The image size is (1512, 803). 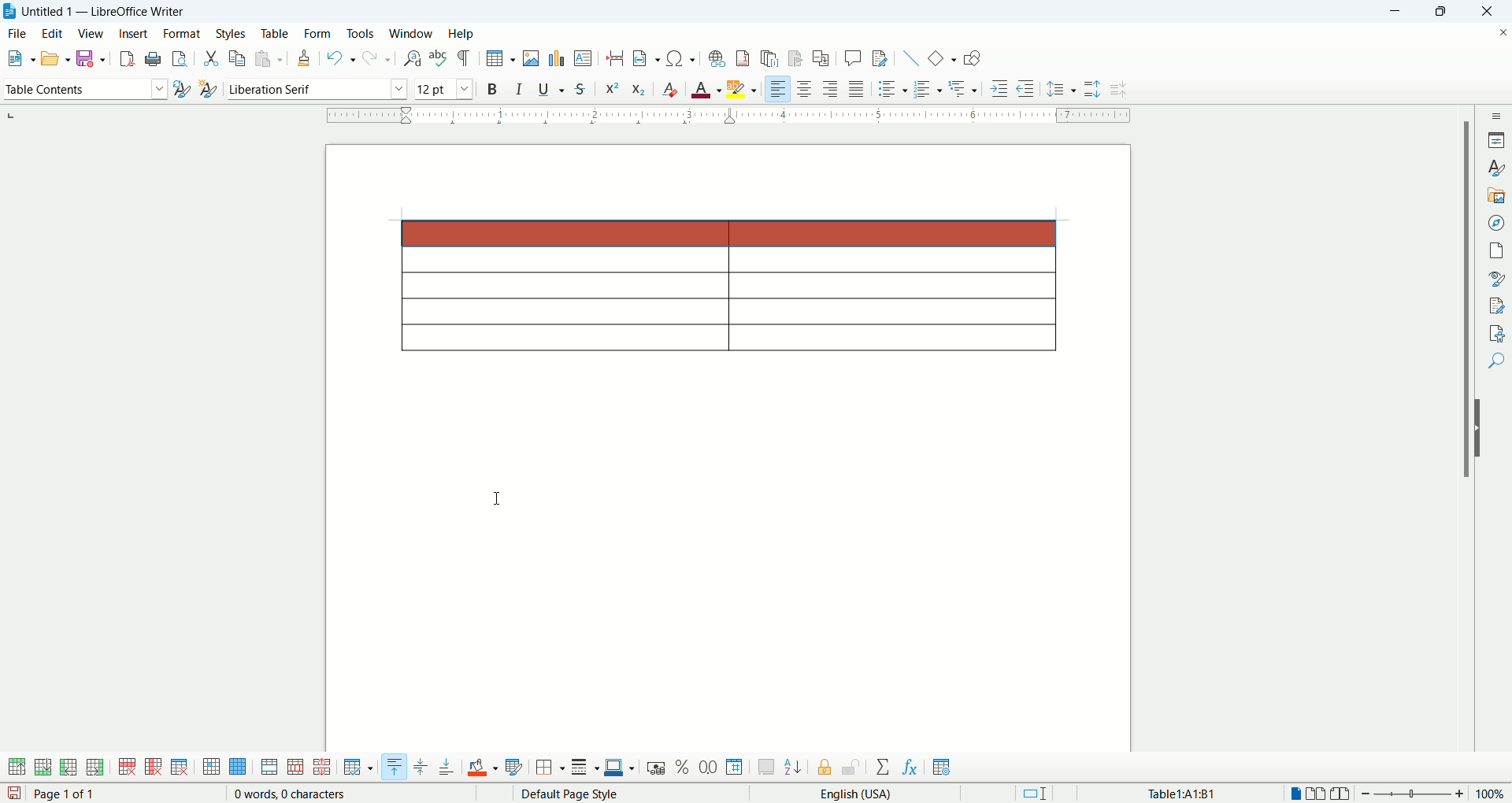 I want to click on split cells, so click(x=293, y=768).